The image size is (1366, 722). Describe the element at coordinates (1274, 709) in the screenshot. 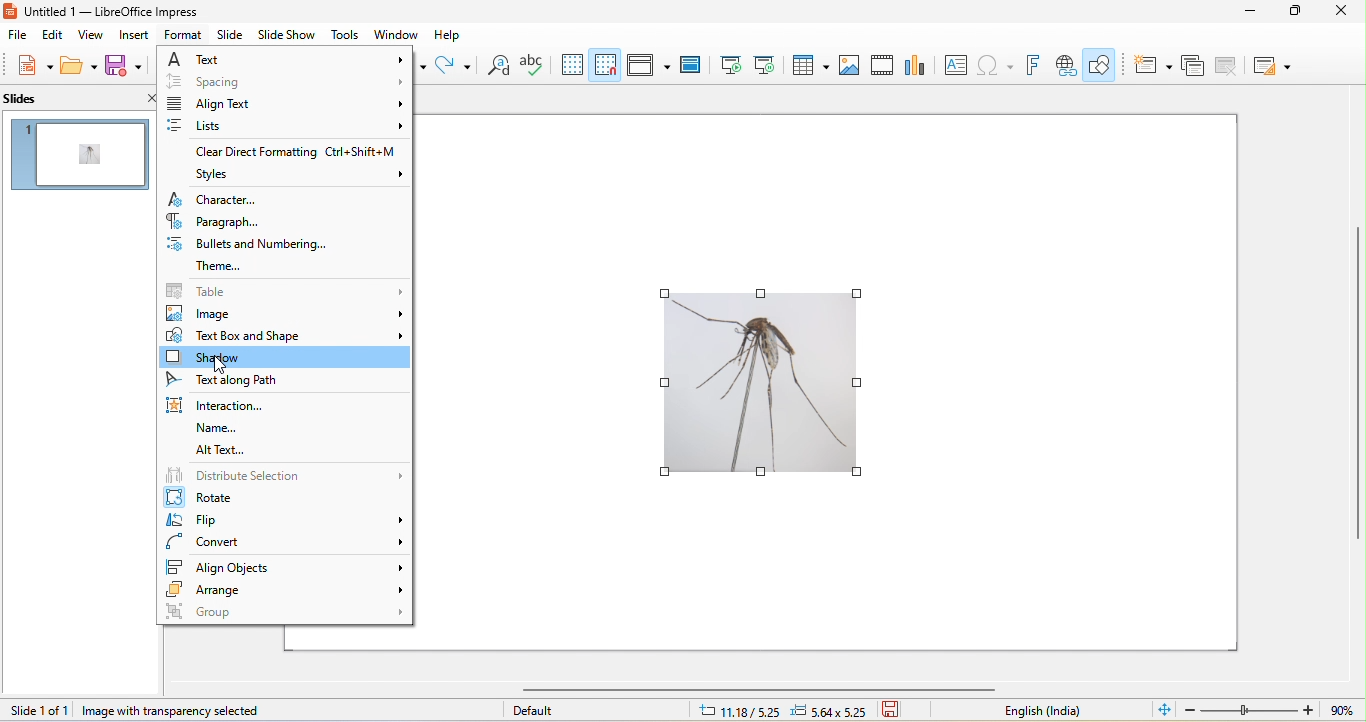

I see `zoom` at that location.